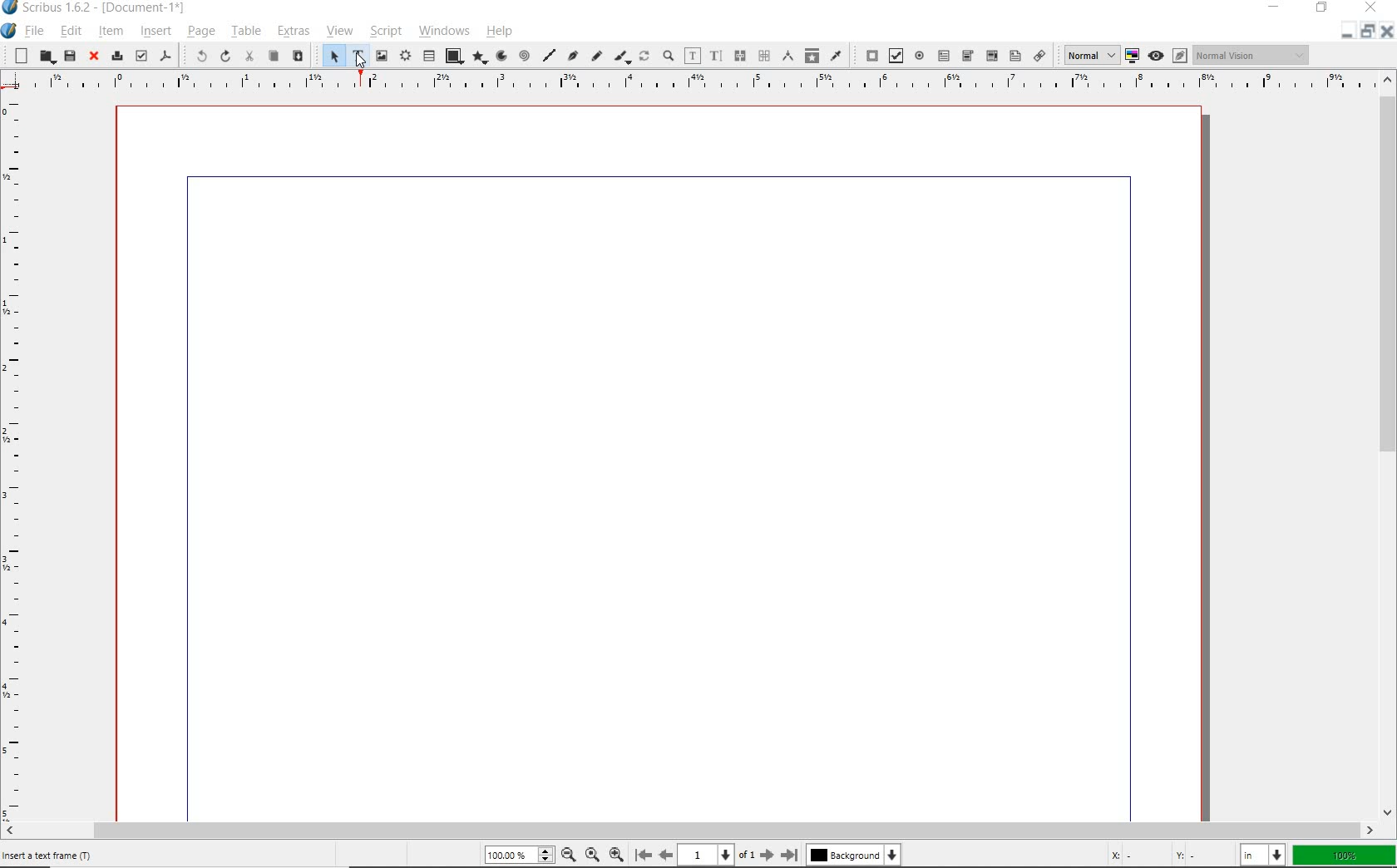 This screenshot has width=1397, height=868. Describe the element at coordinates (1133, 55) in the screenshot. I see `toggle color` at that location.